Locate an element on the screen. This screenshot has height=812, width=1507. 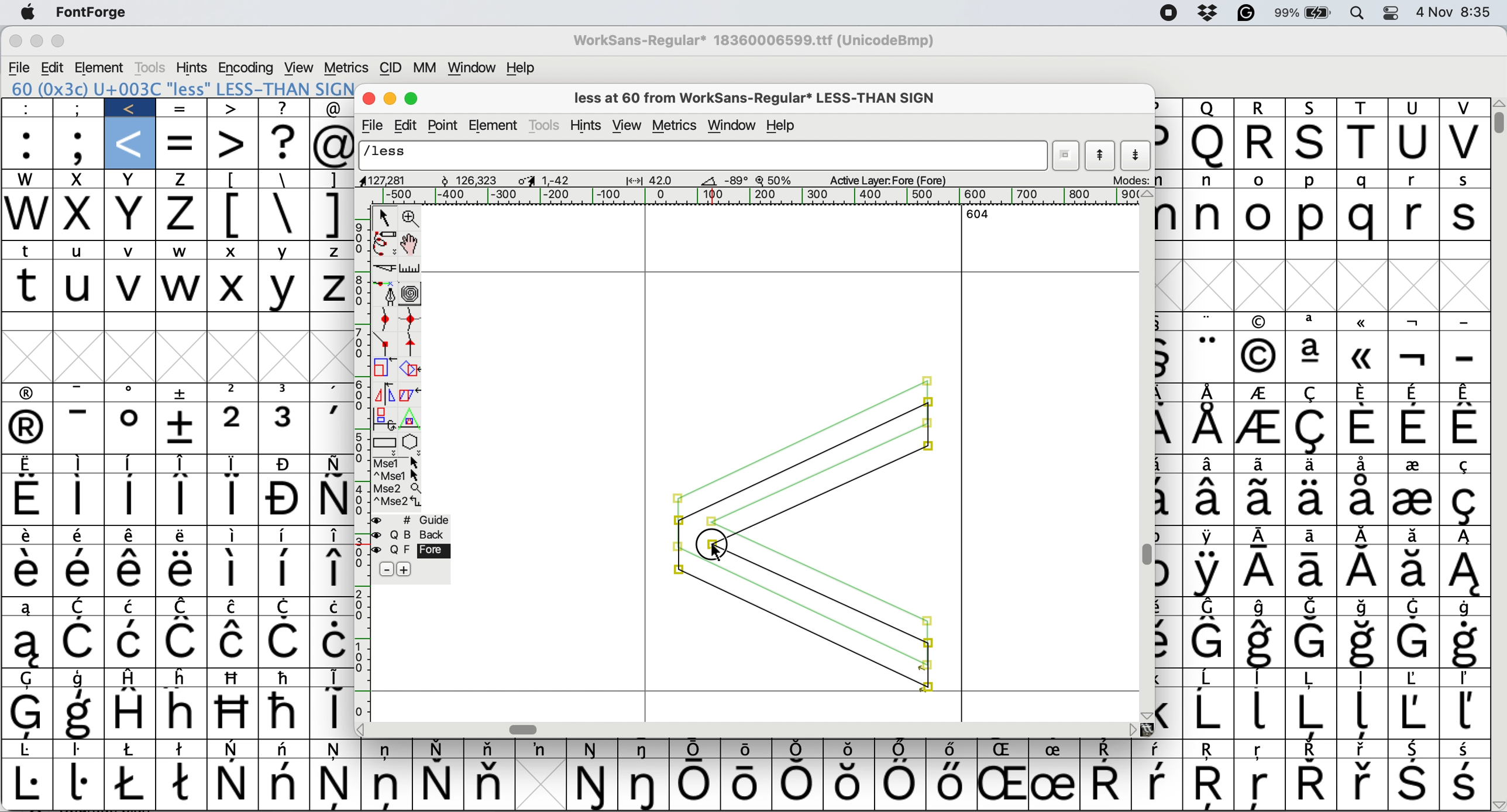
Symbol is located at coordinates (747, 749).